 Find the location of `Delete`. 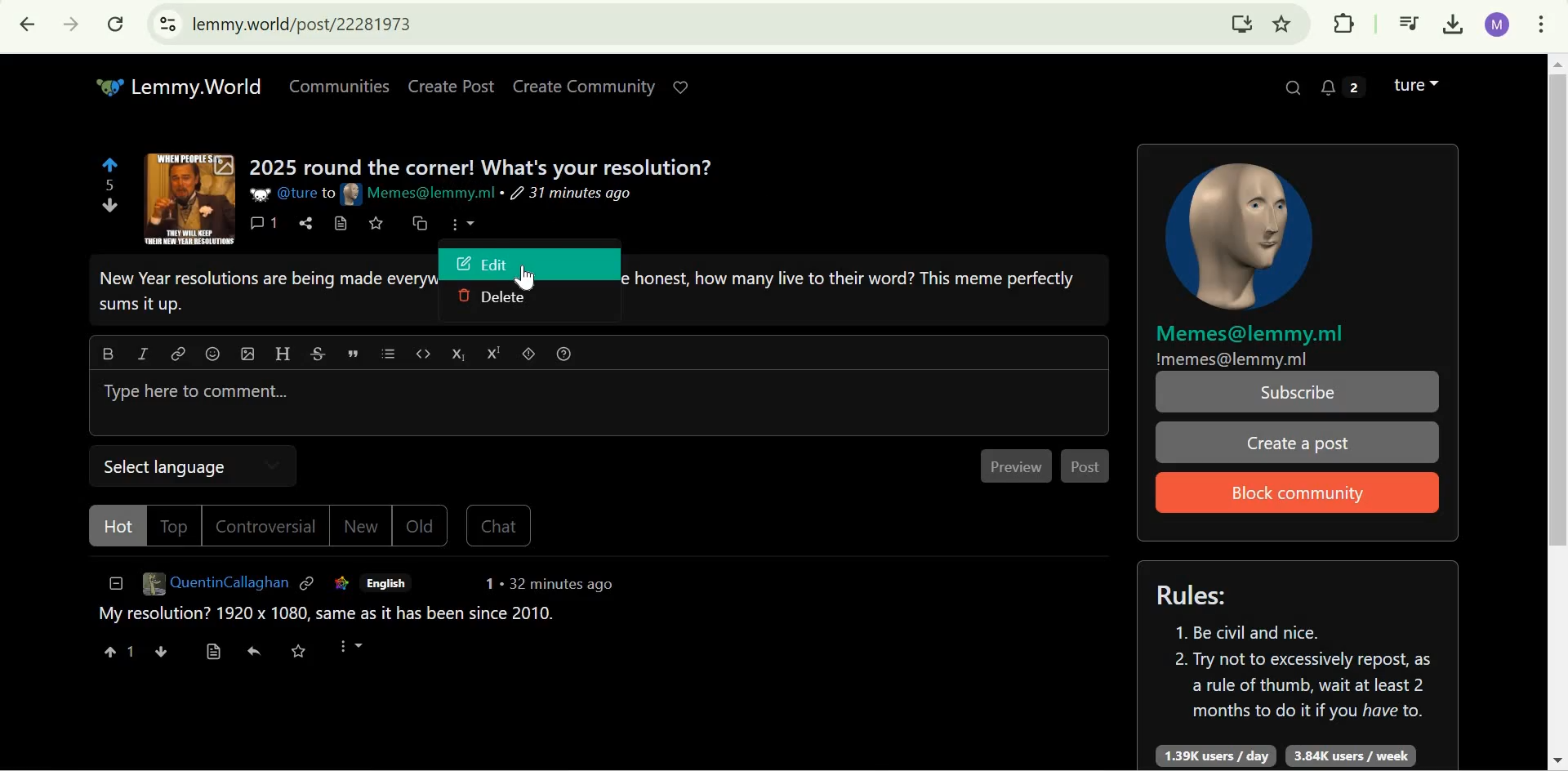

Delete is located at coordinates (533, 296).